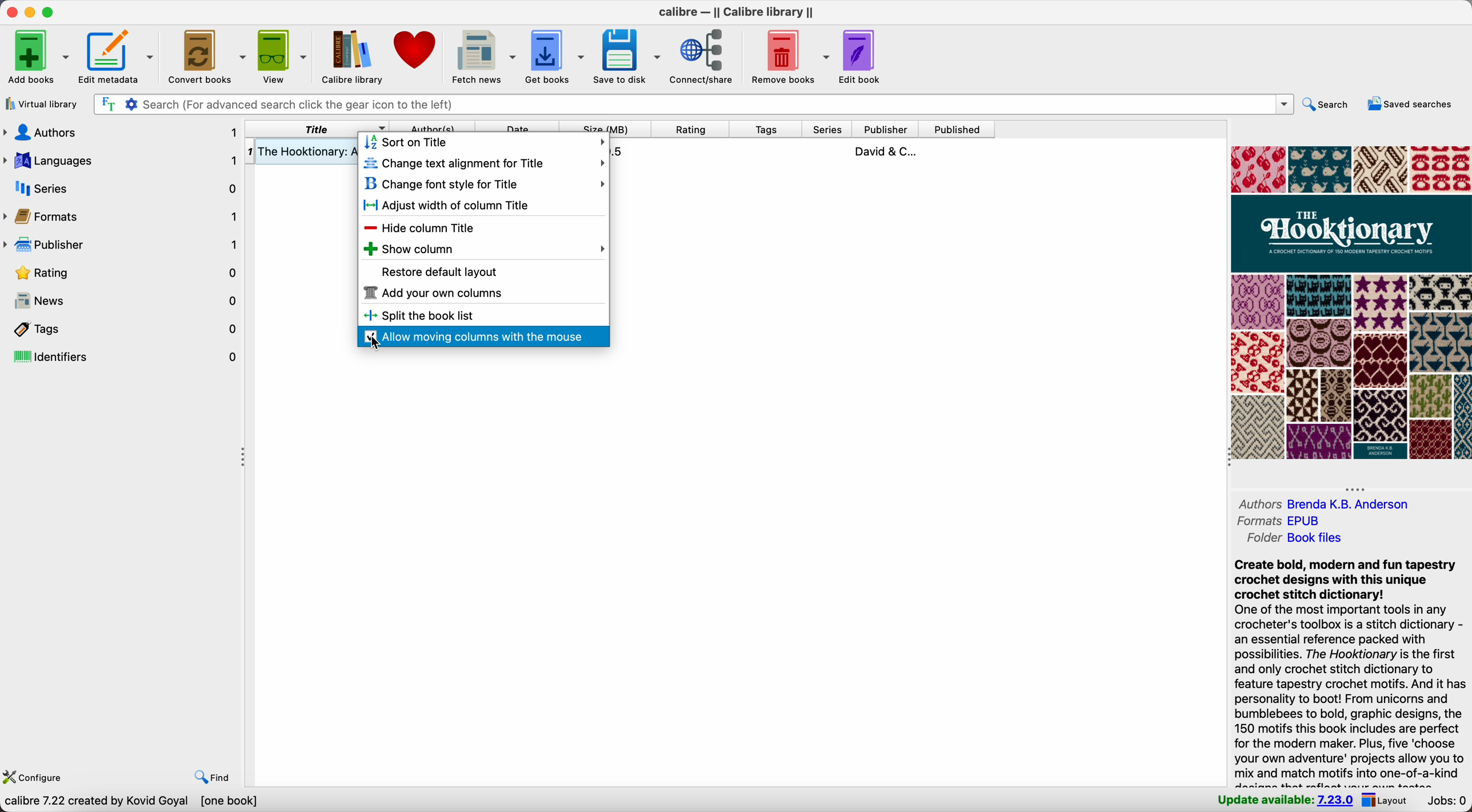  Describe the element at coordinates (692, 103) in the screenshot. I see `search bar` at that location.